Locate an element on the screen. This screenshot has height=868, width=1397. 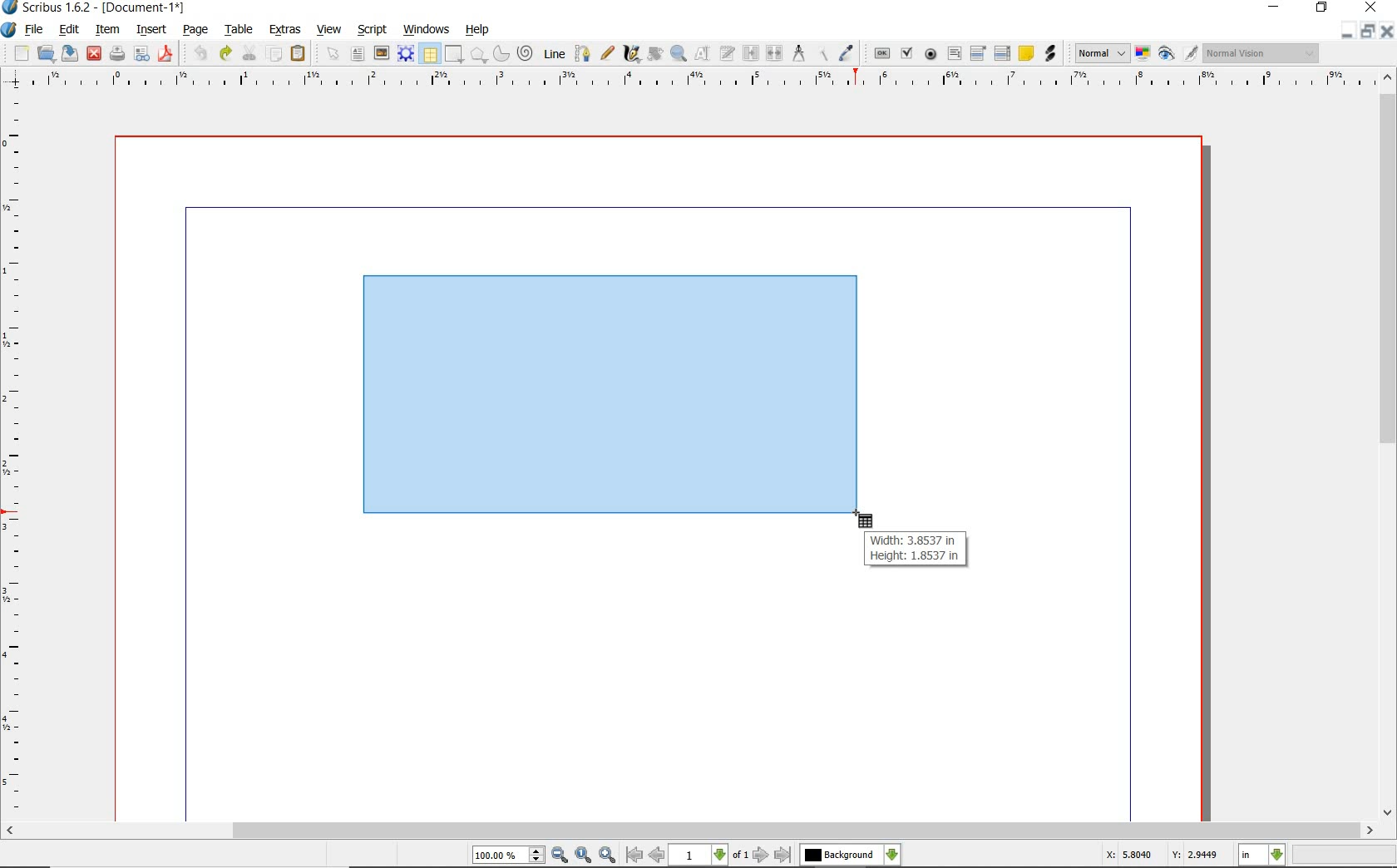
close is located at coordinates (1386, 32).